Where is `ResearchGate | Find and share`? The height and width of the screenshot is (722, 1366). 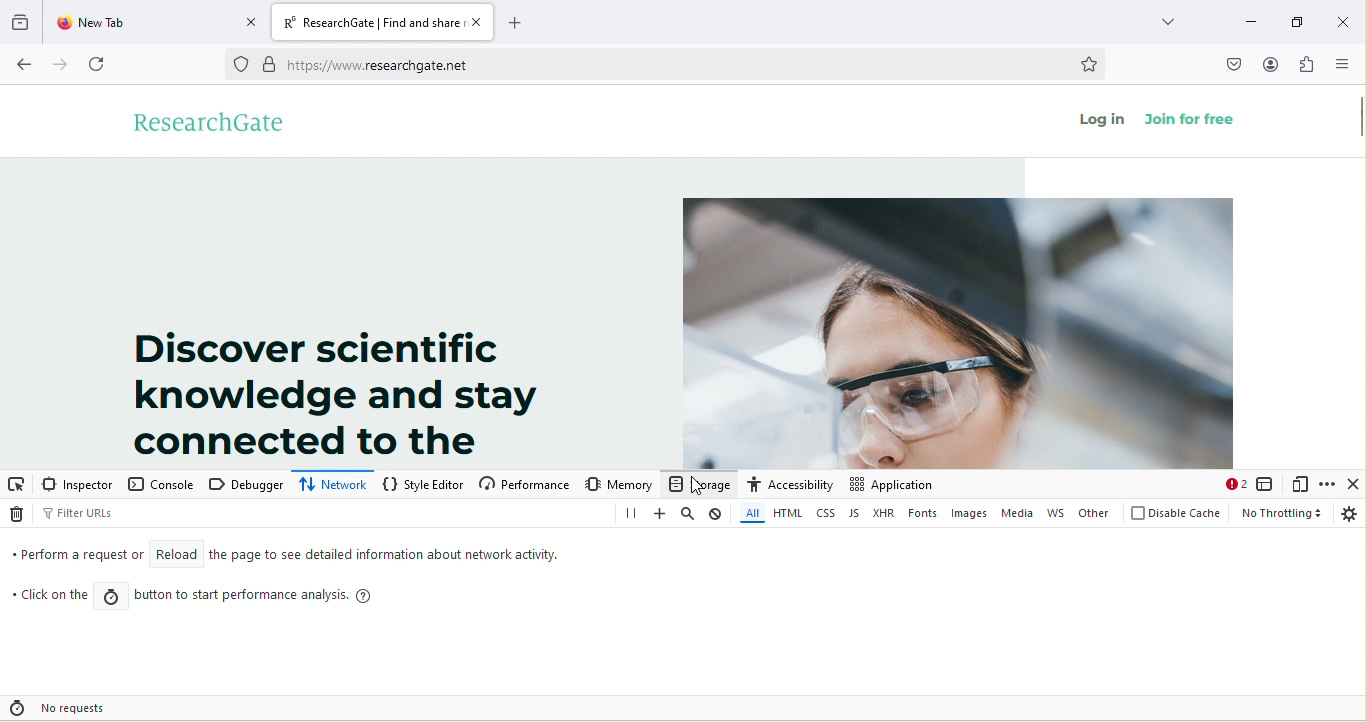 ResearchGate | Find and share is located at coordinates (370, 22).